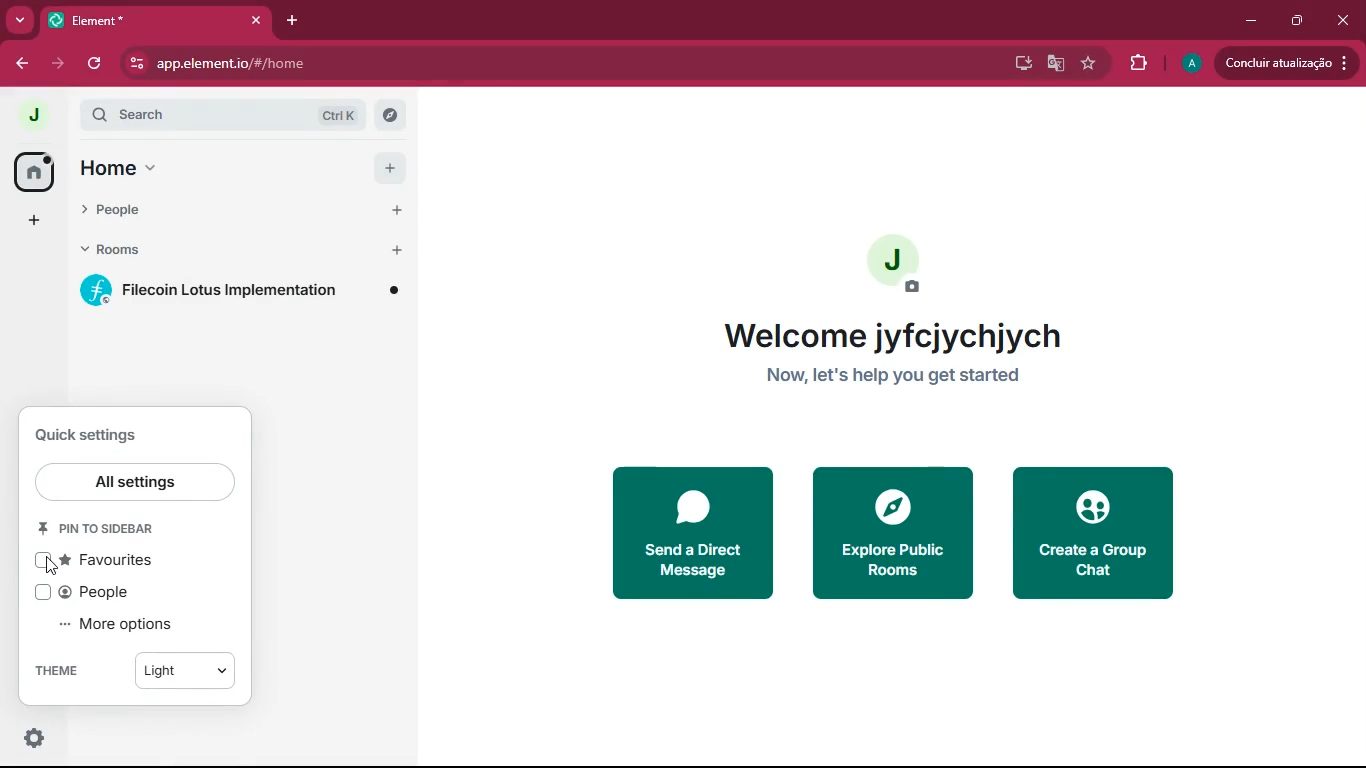 This screenshot has height=768, width=1366. I want to click on Element, so click(142, 21).